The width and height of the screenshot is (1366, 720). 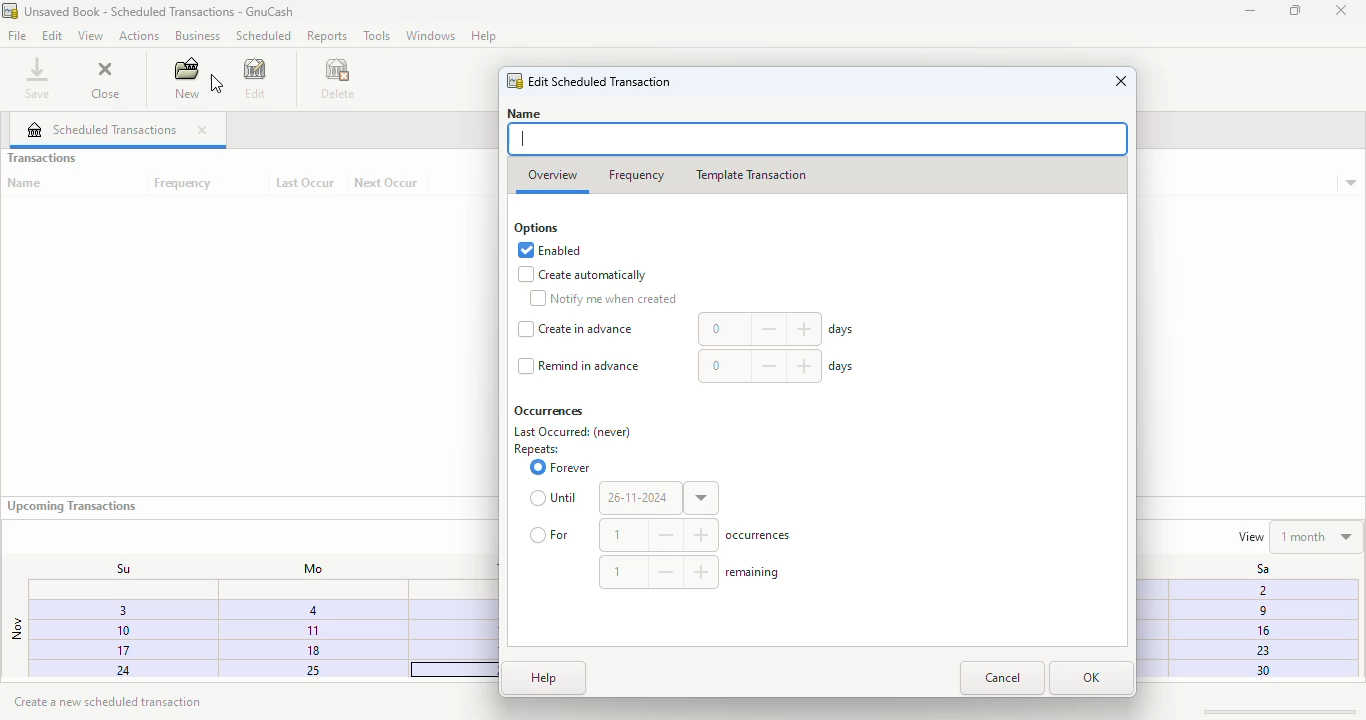 I want to click on scheduled, so click(x=263, y=35).